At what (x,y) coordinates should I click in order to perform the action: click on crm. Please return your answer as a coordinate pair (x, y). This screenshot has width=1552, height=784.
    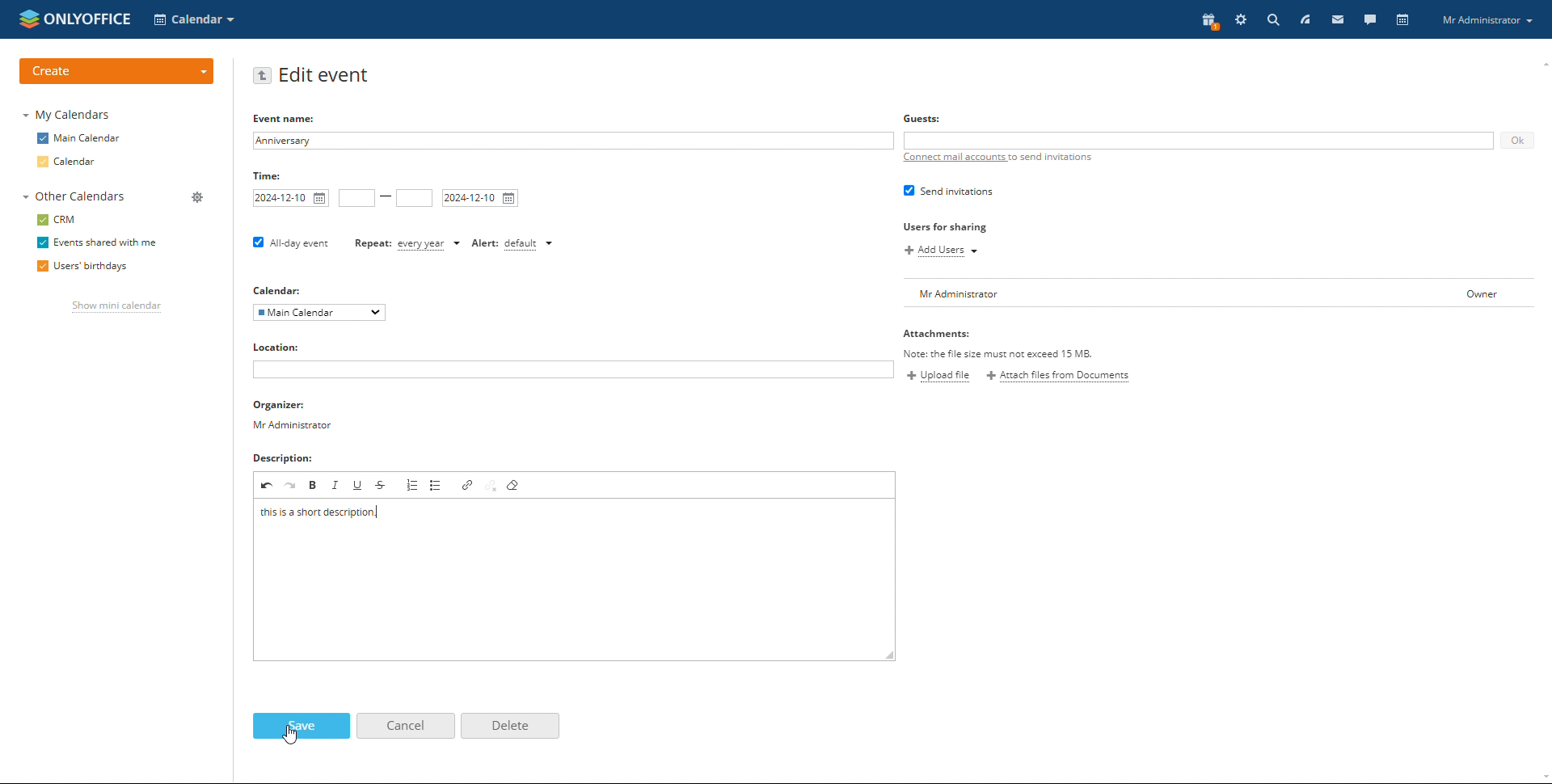
    Looking at the image, I should click on (57, 221).